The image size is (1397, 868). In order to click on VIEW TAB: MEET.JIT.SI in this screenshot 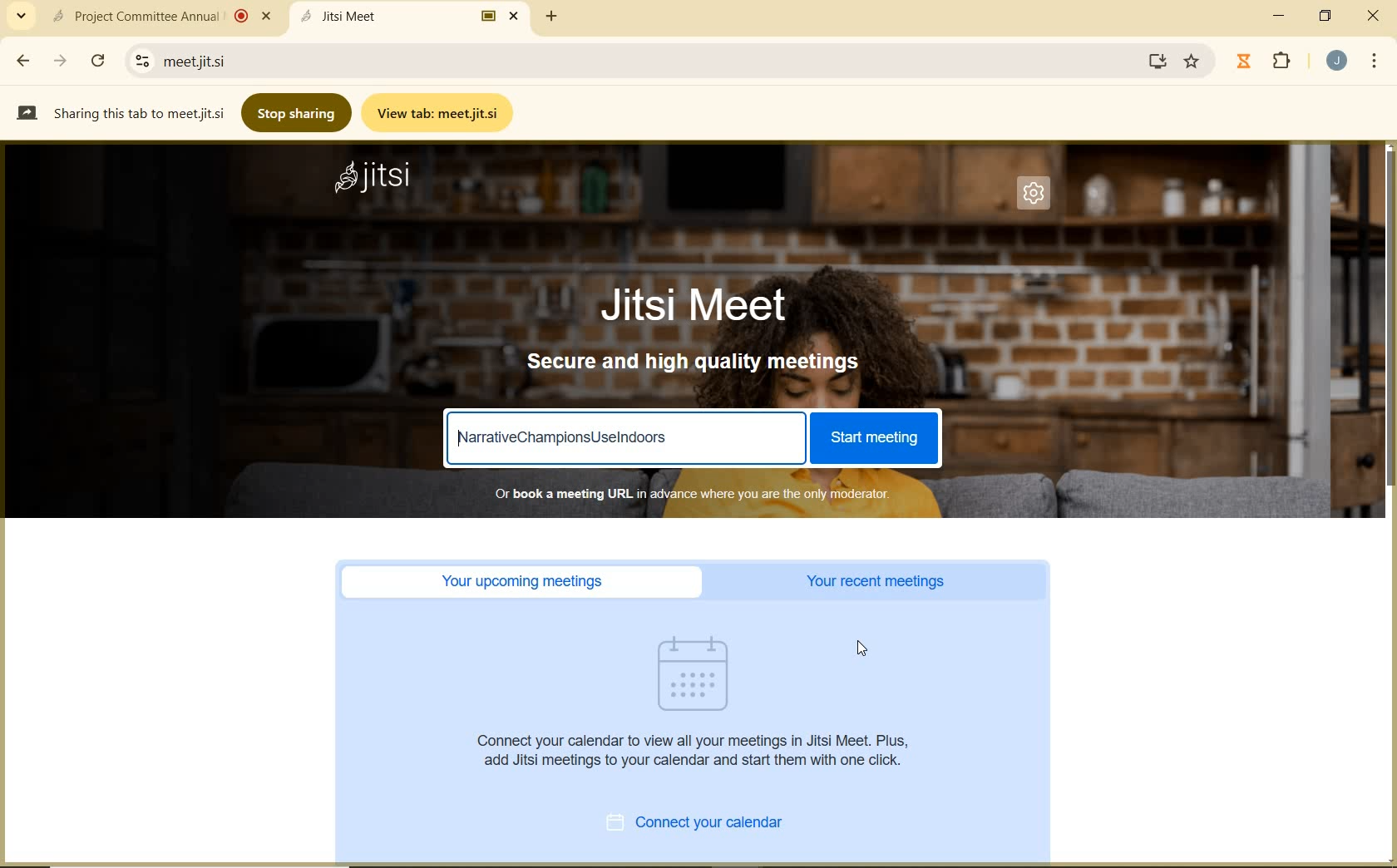, I will do `click(441, 112)`.